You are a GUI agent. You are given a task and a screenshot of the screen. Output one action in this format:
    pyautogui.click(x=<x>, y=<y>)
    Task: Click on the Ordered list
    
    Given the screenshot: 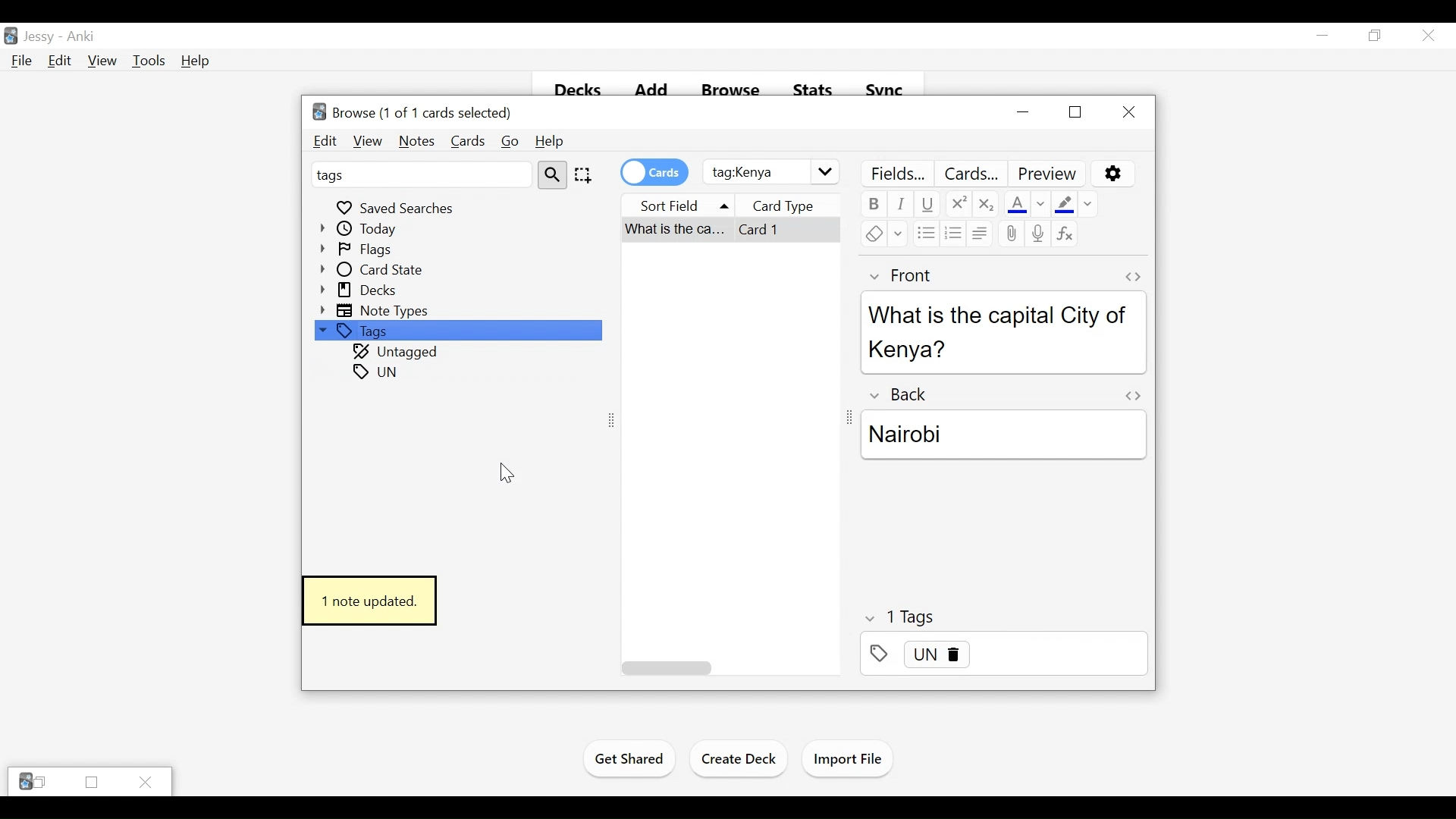 What is the action you would take?
    pyautogui.click(x=952, y=234)
    